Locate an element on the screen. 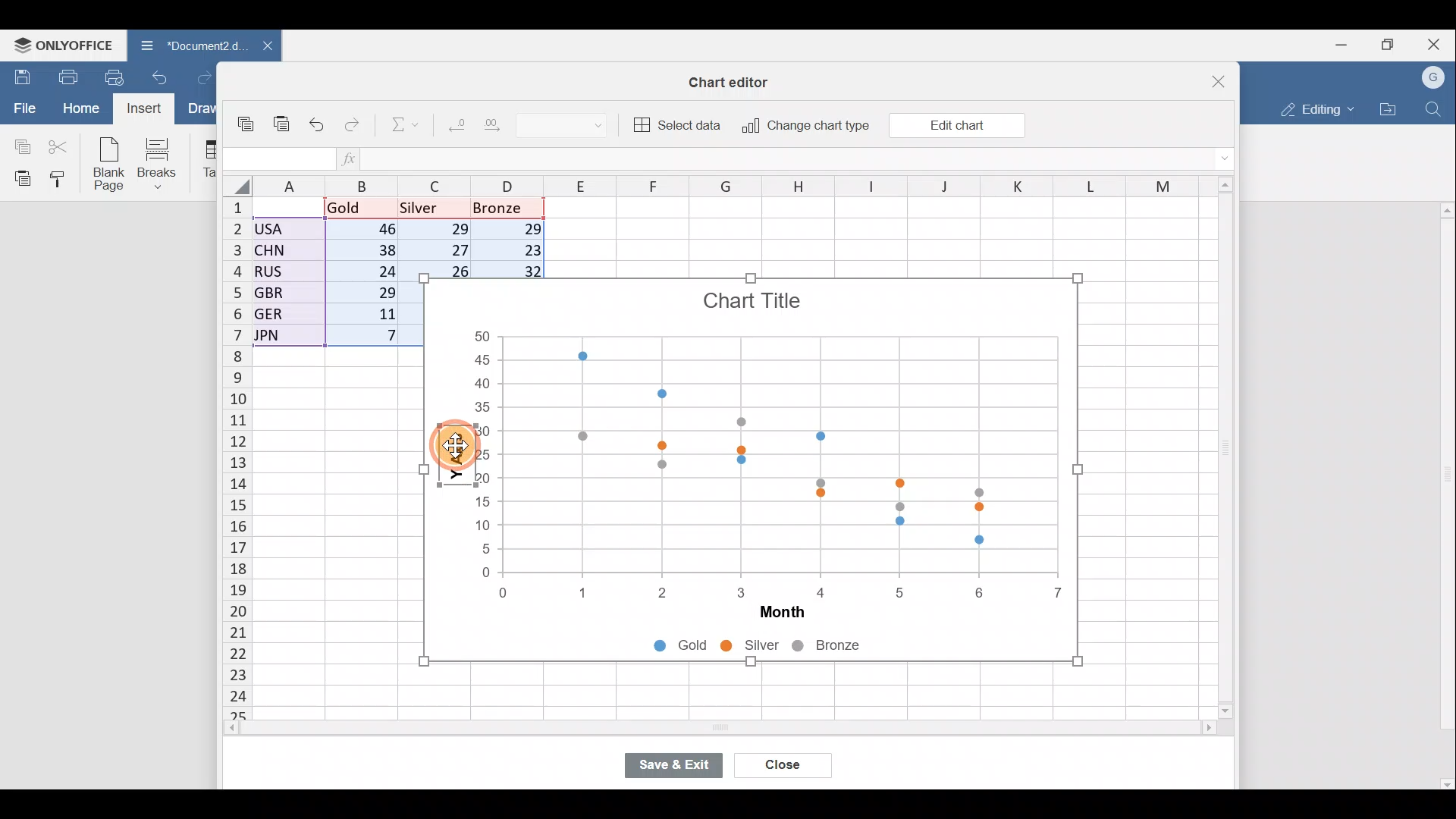  Save & exit is located at coordinates (670, 762).